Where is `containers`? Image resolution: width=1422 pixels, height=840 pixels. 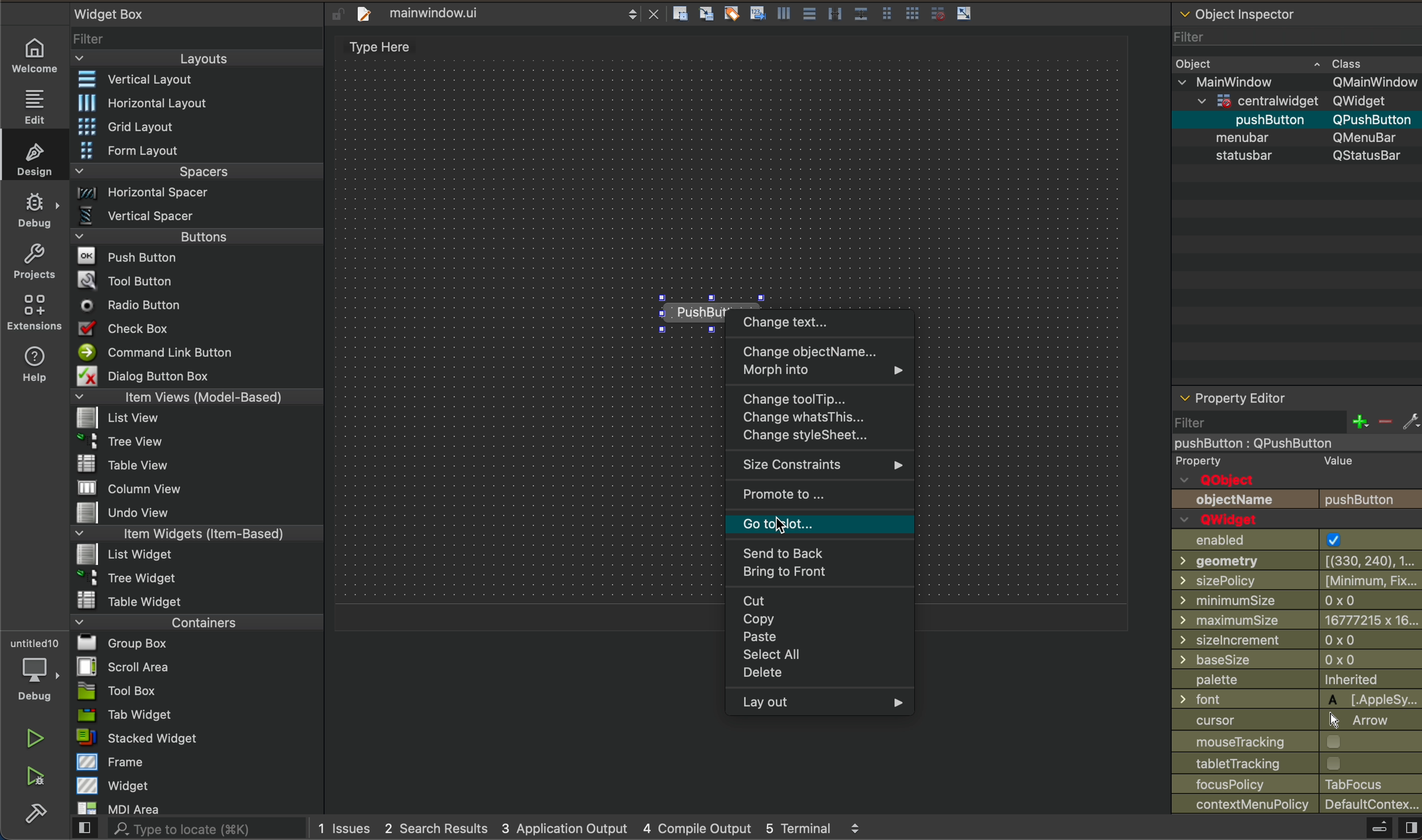 containers is located at coordinates (194, 624).